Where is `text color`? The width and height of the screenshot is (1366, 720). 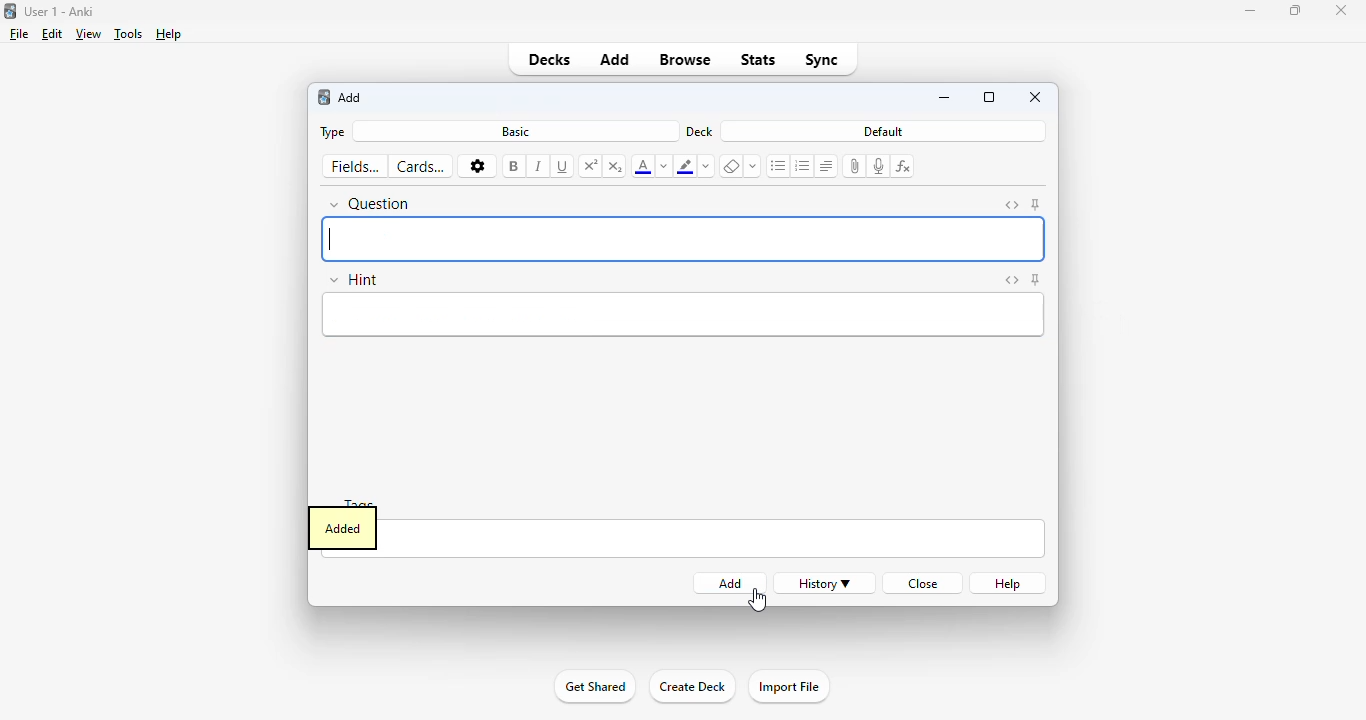
text color is located at coordinates (642, 168).